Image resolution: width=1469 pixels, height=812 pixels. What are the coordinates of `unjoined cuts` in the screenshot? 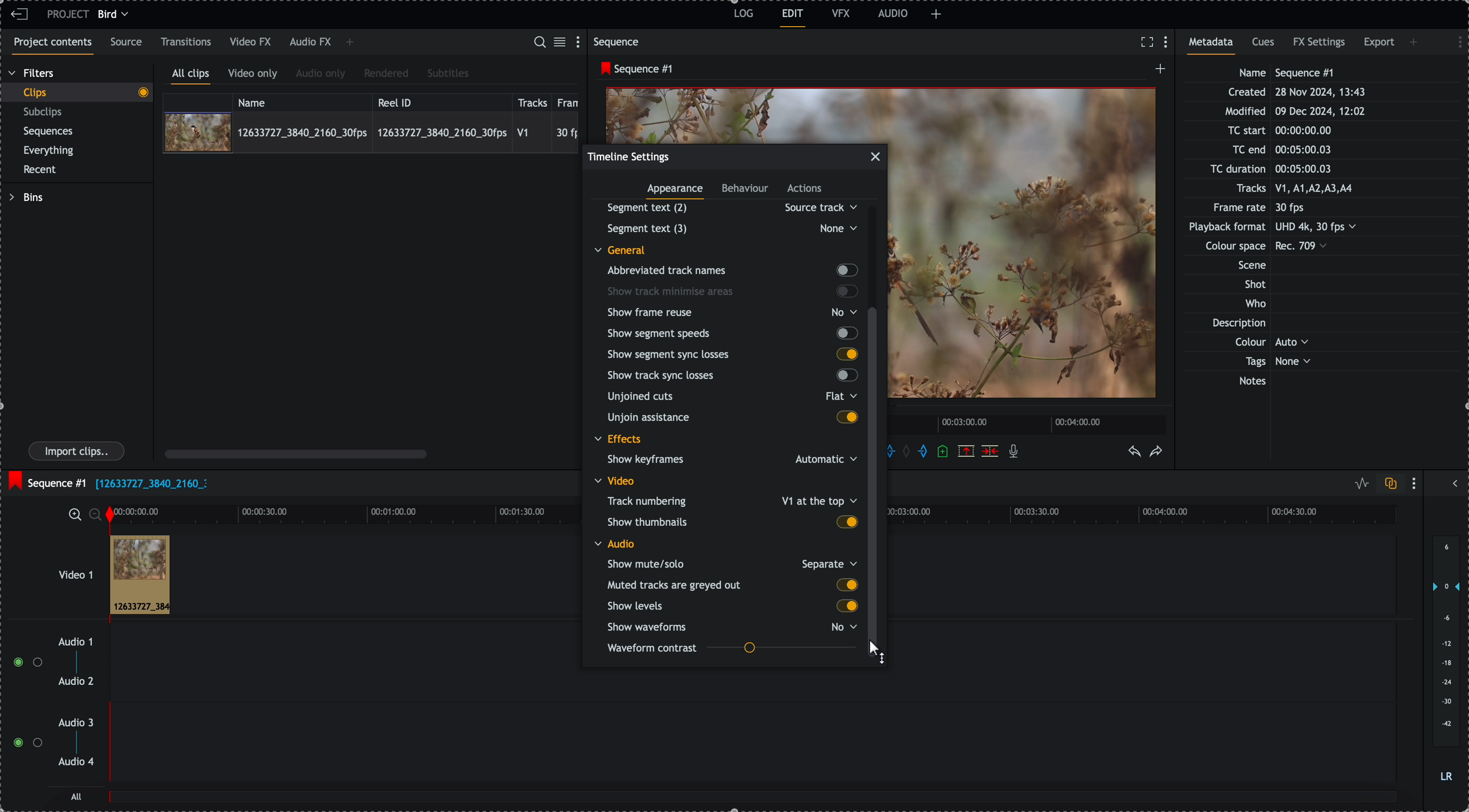 It's located at (729, 399).